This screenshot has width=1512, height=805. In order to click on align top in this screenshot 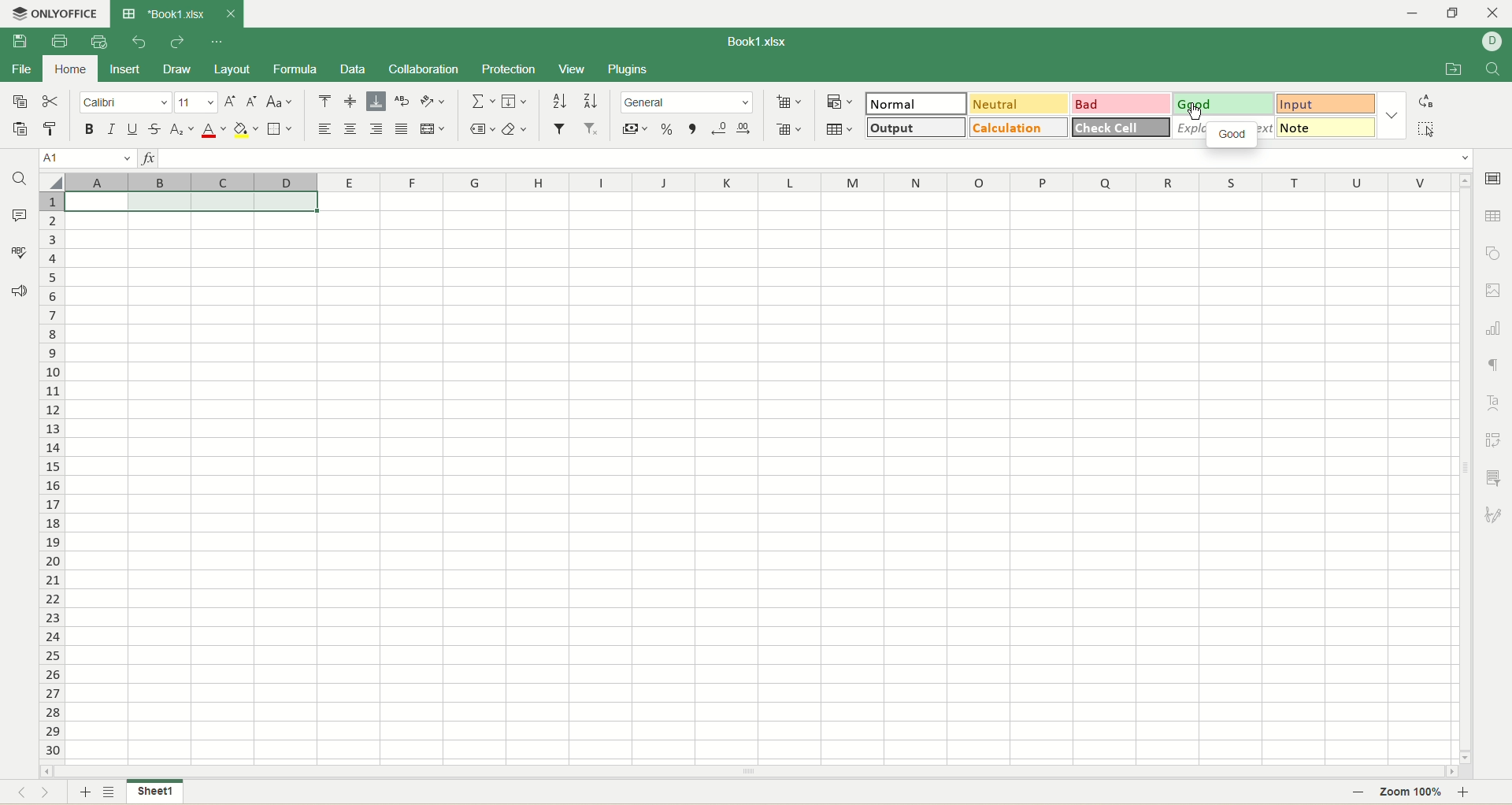, I will do `click(324, 103)`.